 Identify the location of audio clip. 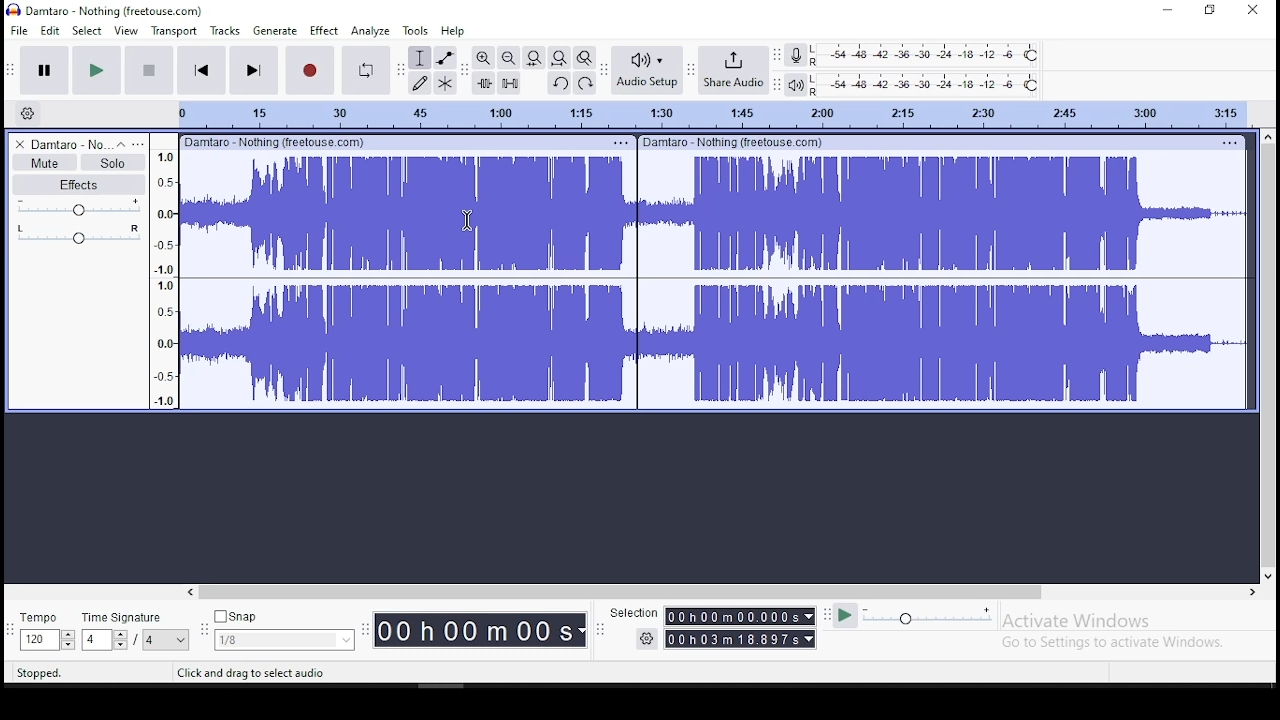
(406, 281).